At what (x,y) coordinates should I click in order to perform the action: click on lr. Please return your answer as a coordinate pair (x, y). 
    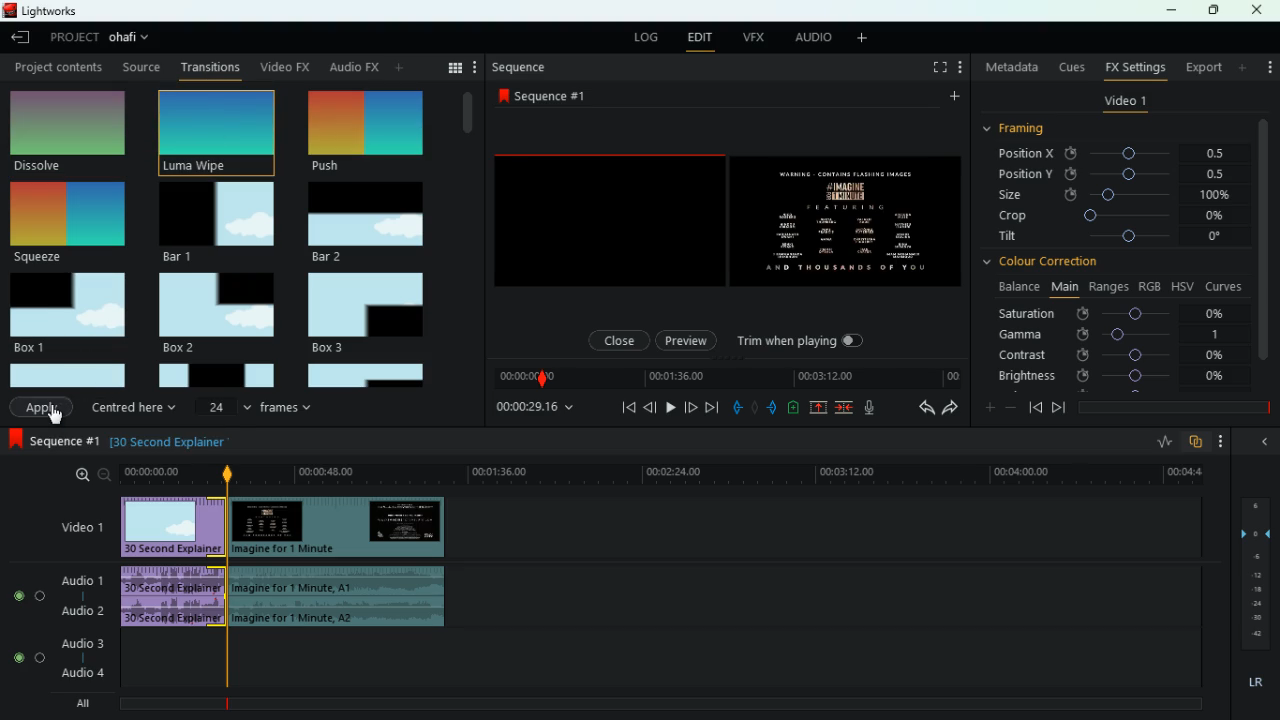
    Looking at the image, I should click on (1254, 683).